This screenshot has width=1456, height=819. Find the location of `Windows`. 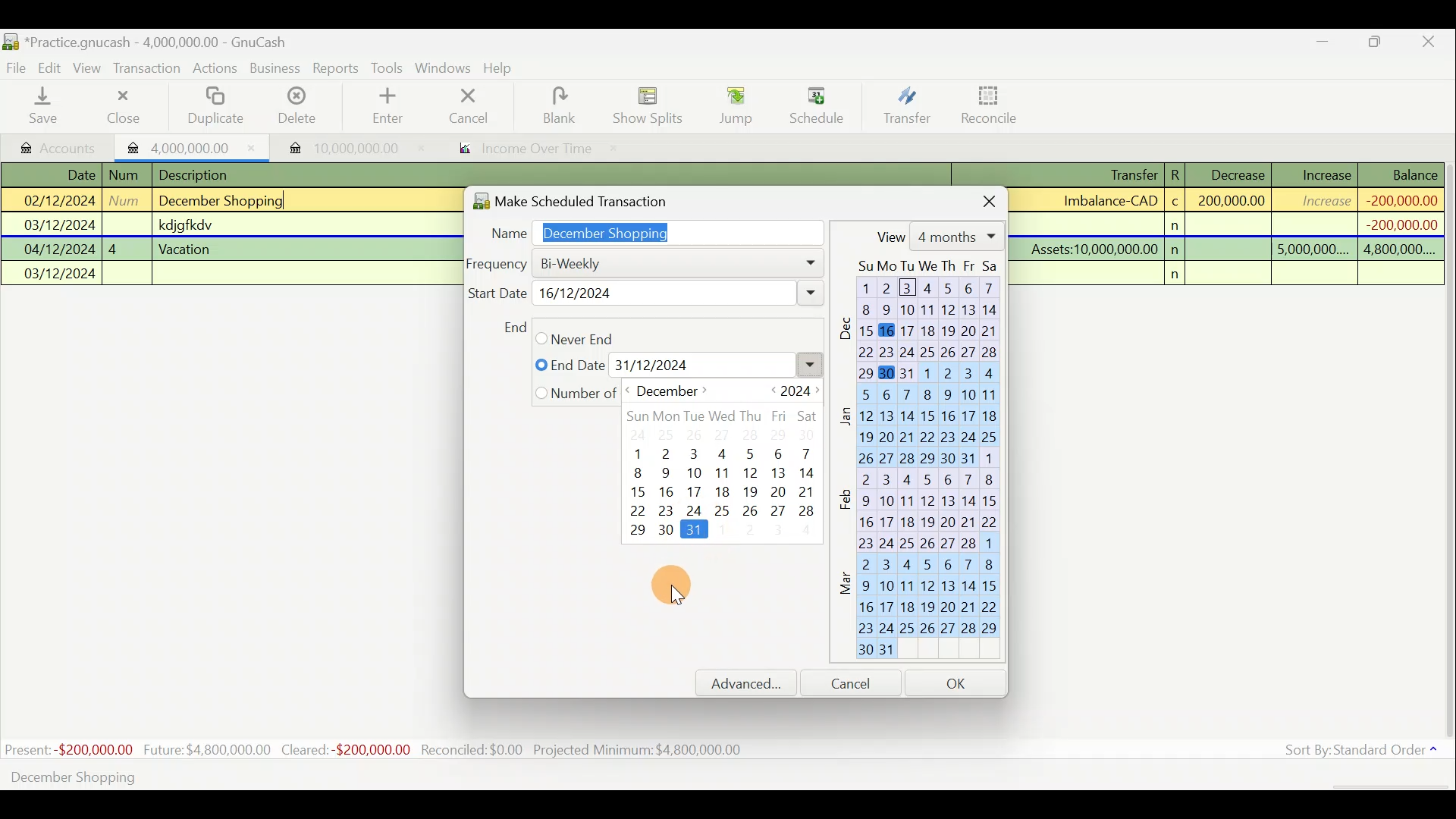

Windows is located at coordinates (445, 69).